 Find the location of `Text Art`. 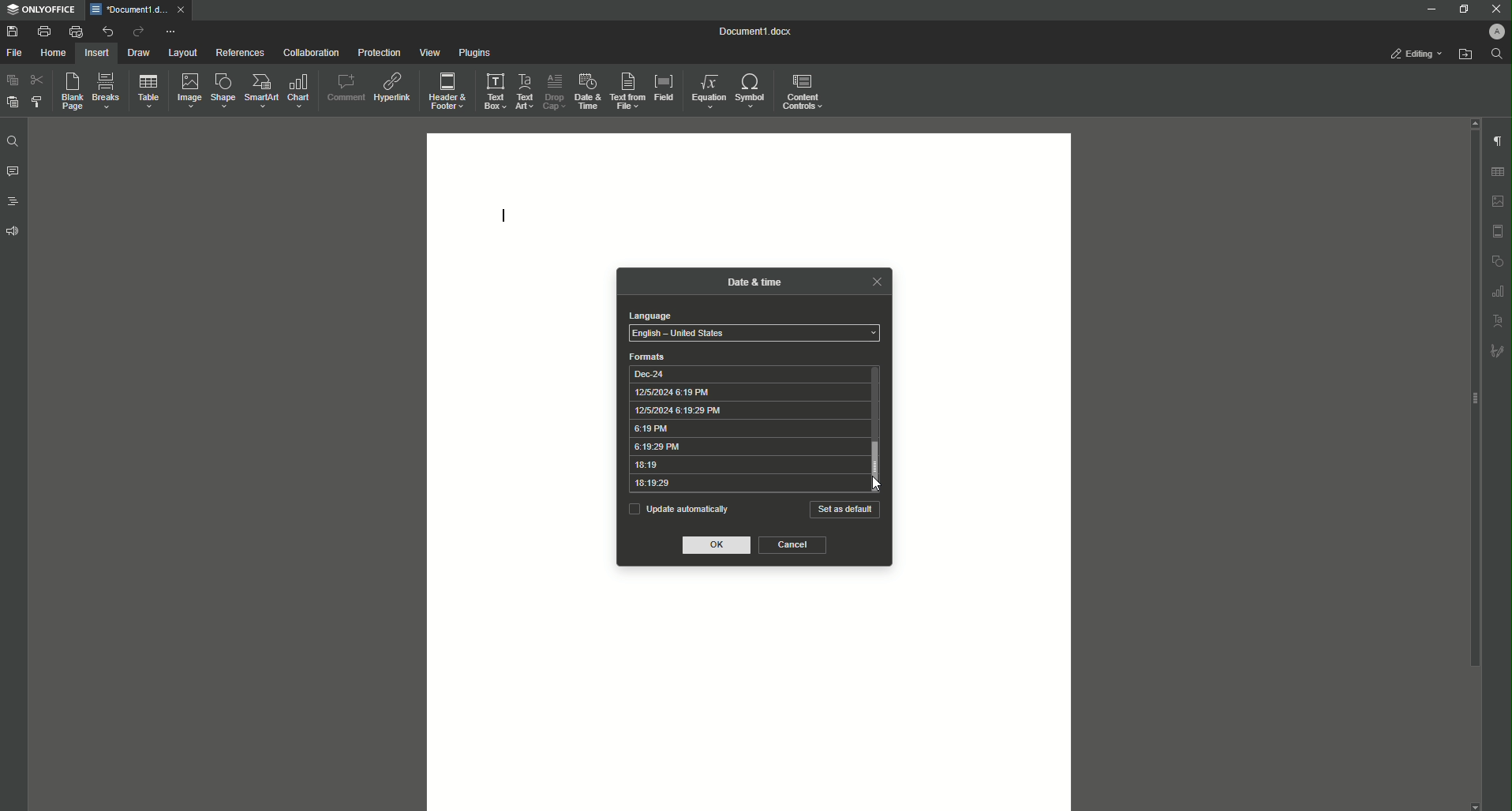

Text Art is located at coordinates (526, 89).